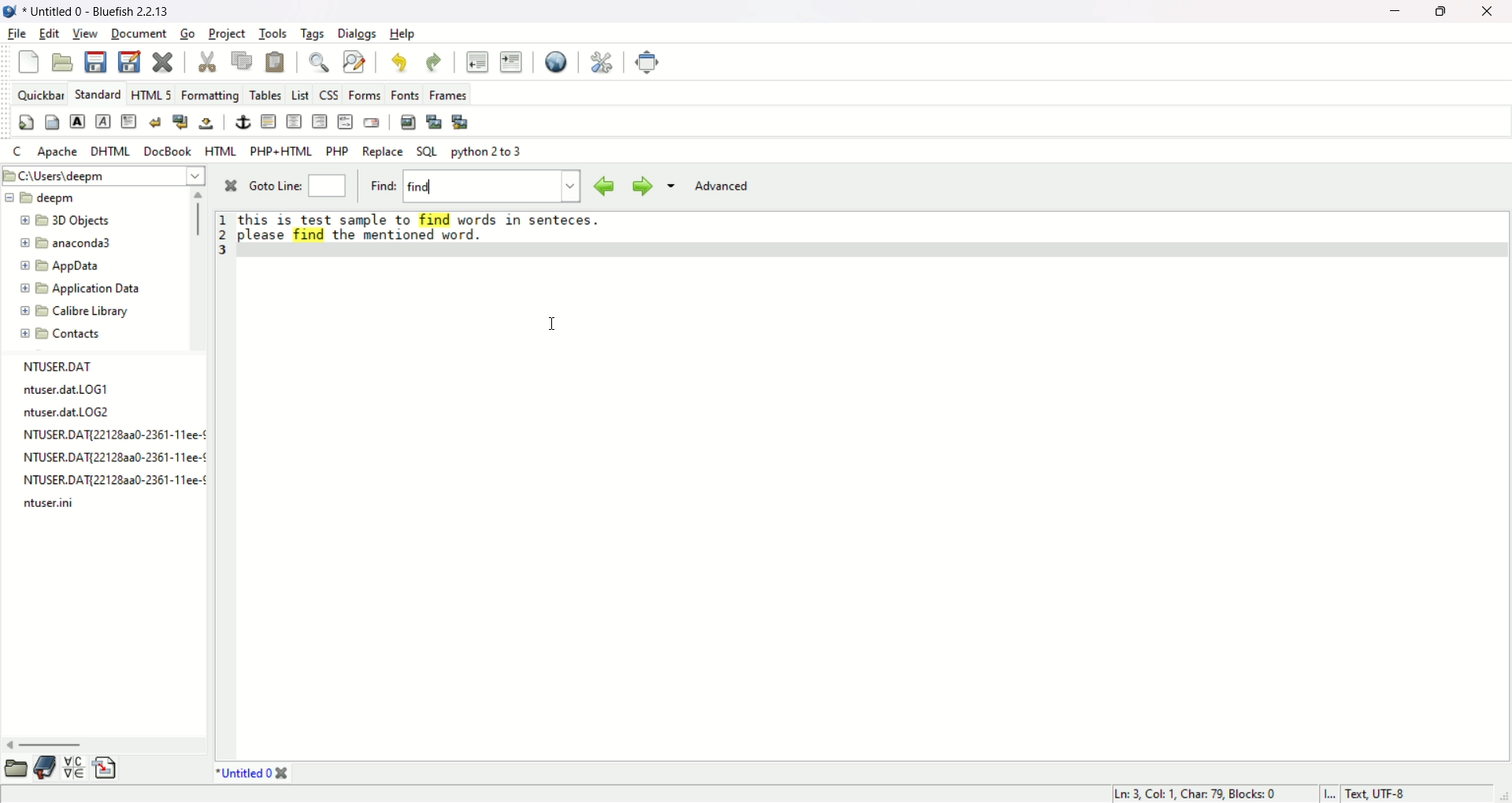  Describe the element at coordinates (105, 11) in the screenshot. I see `title` at that location.